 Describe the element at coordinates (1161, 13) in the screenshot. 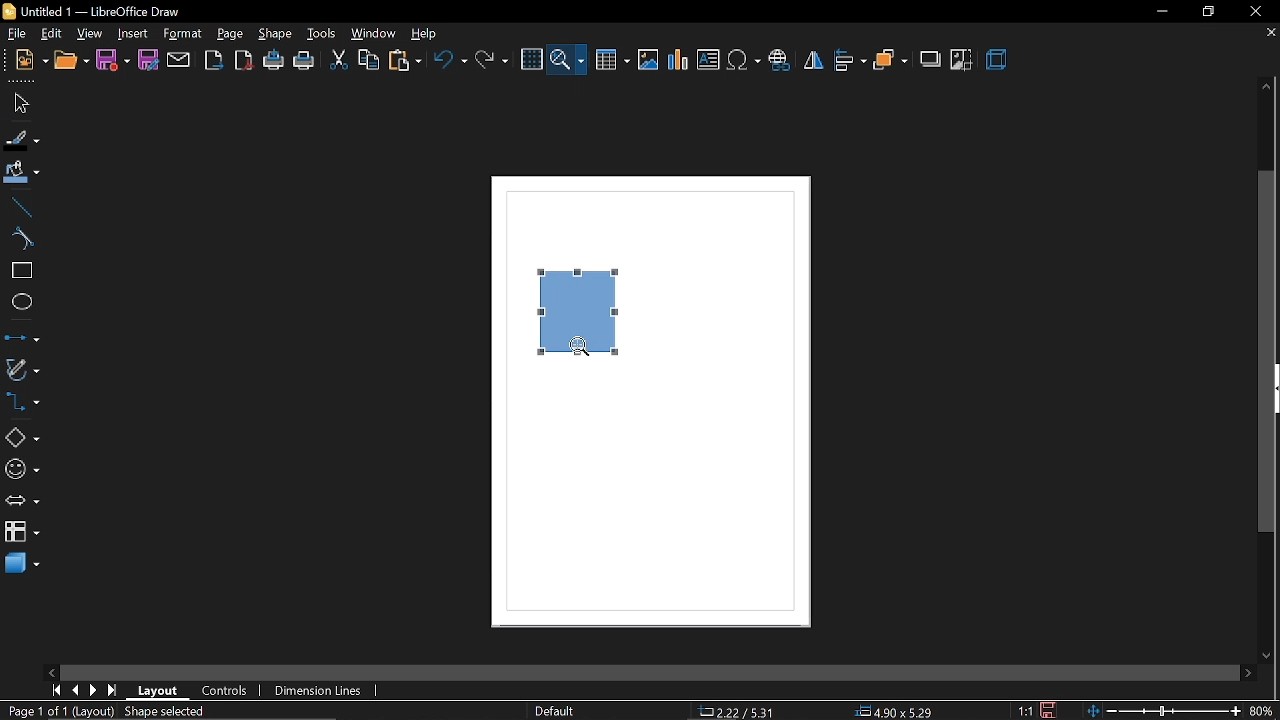

I see `minimize` at that location.